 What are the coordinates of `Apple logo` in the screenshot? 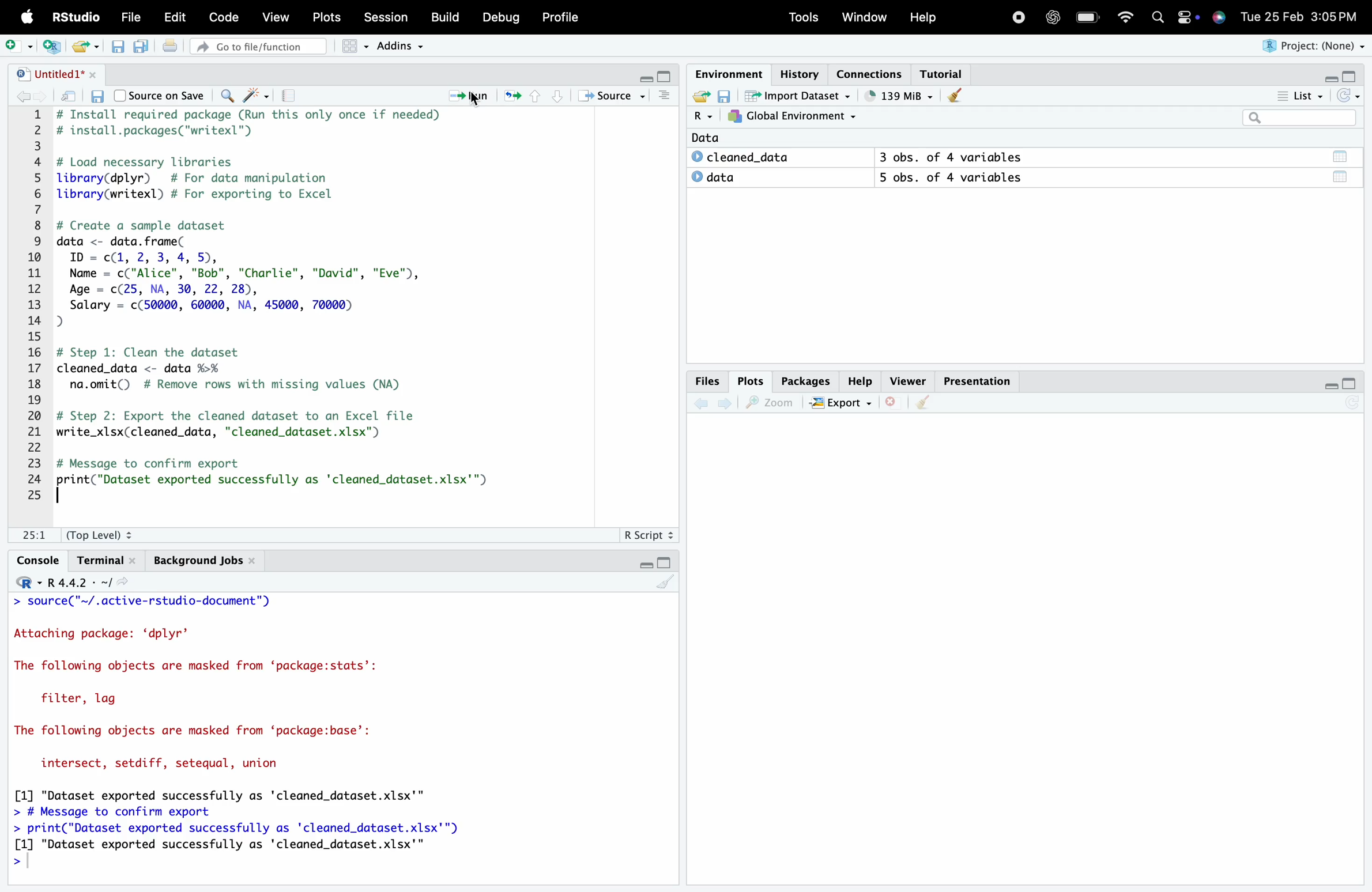 It's located at (25, 17).